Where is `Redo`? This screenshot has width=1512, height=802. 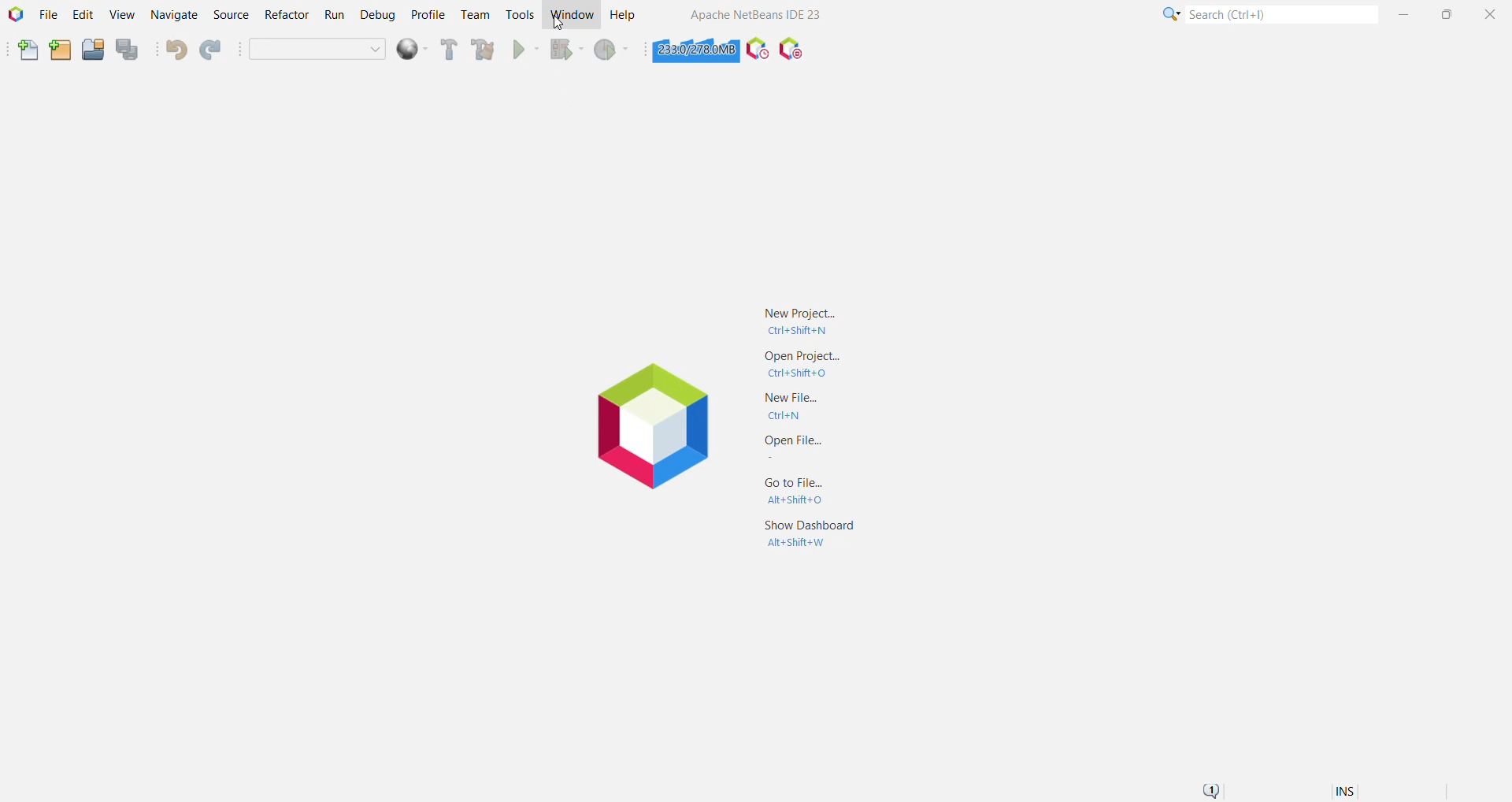 Redo is located at coordinates (214, 50).